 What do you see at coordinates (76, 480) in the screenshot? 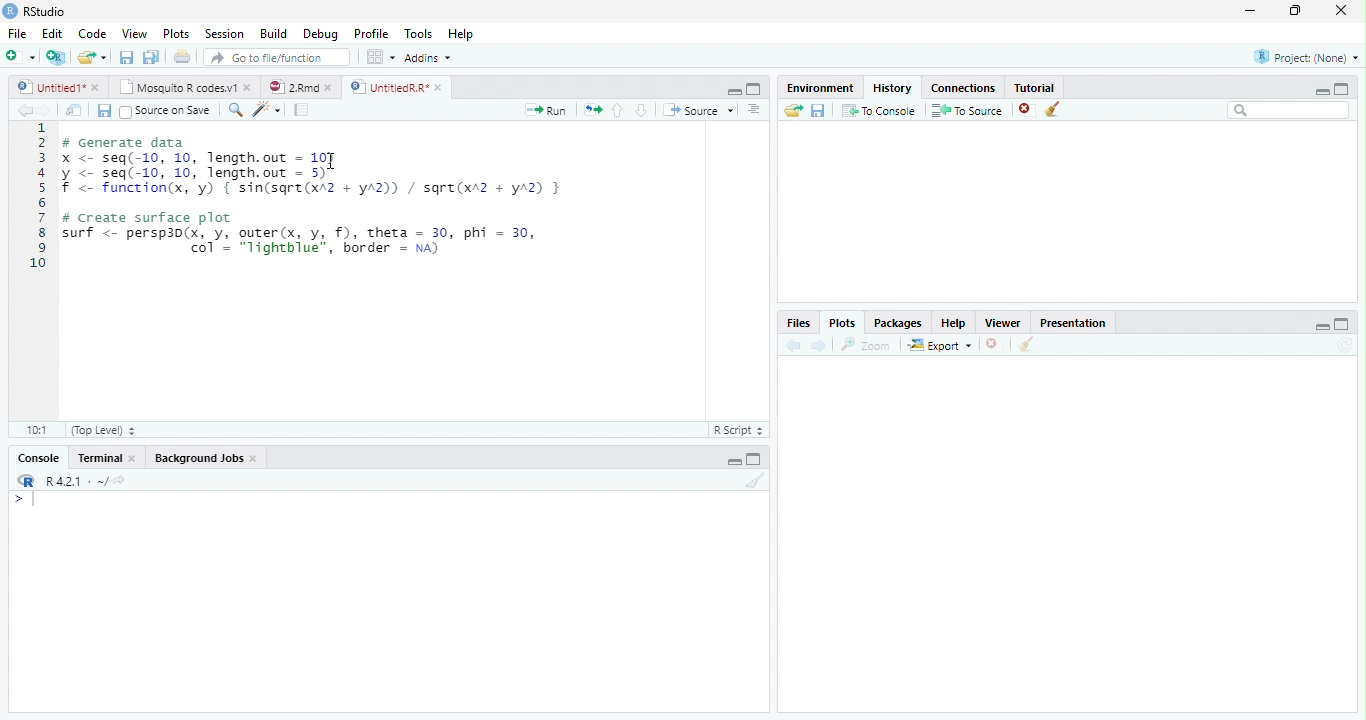
I see `R 4.2.1 . ~/` at bounding box center [76, 480].